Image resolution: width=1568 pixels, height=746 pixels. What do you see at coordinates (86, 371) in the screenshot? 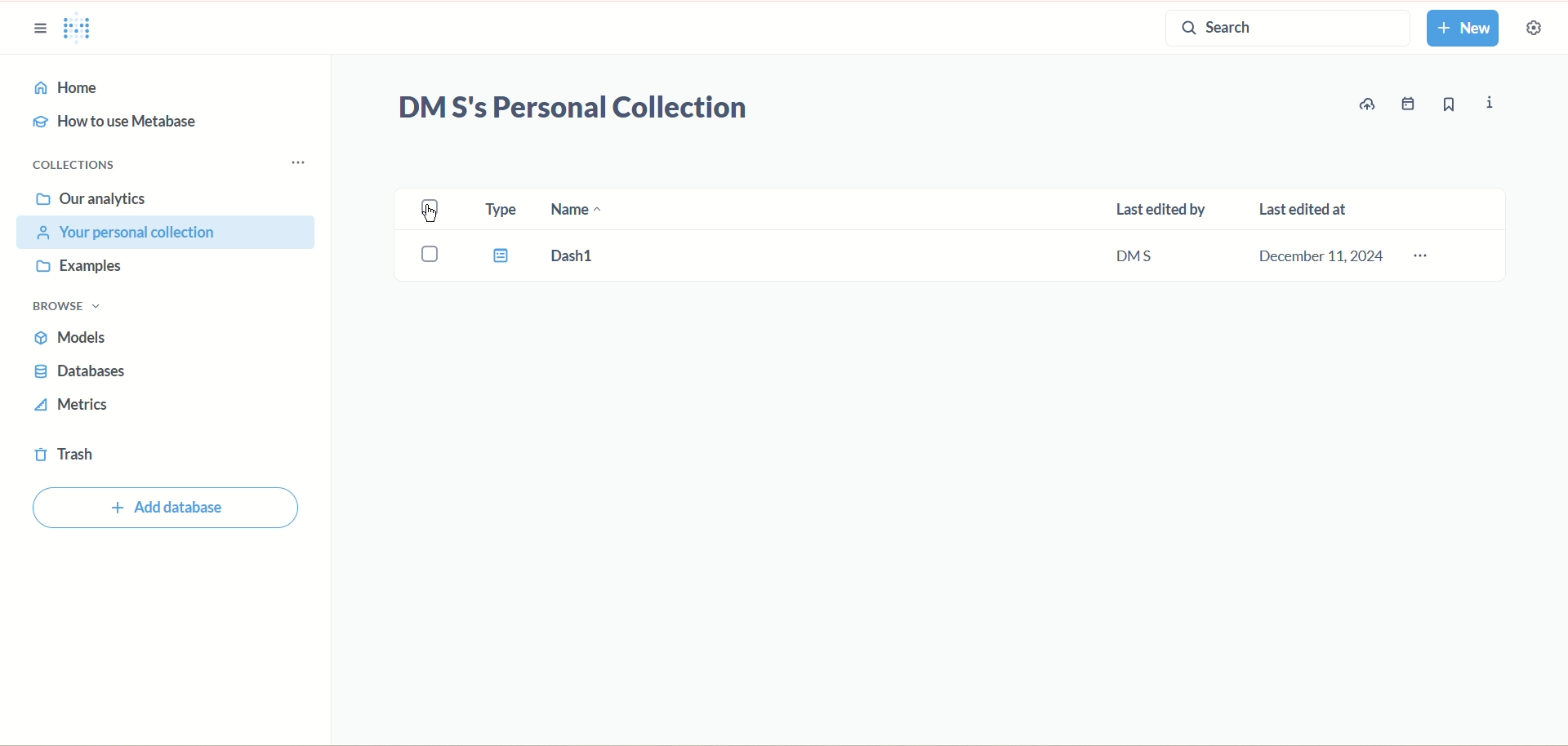
I see `databases` at bounding box center [86, 371].